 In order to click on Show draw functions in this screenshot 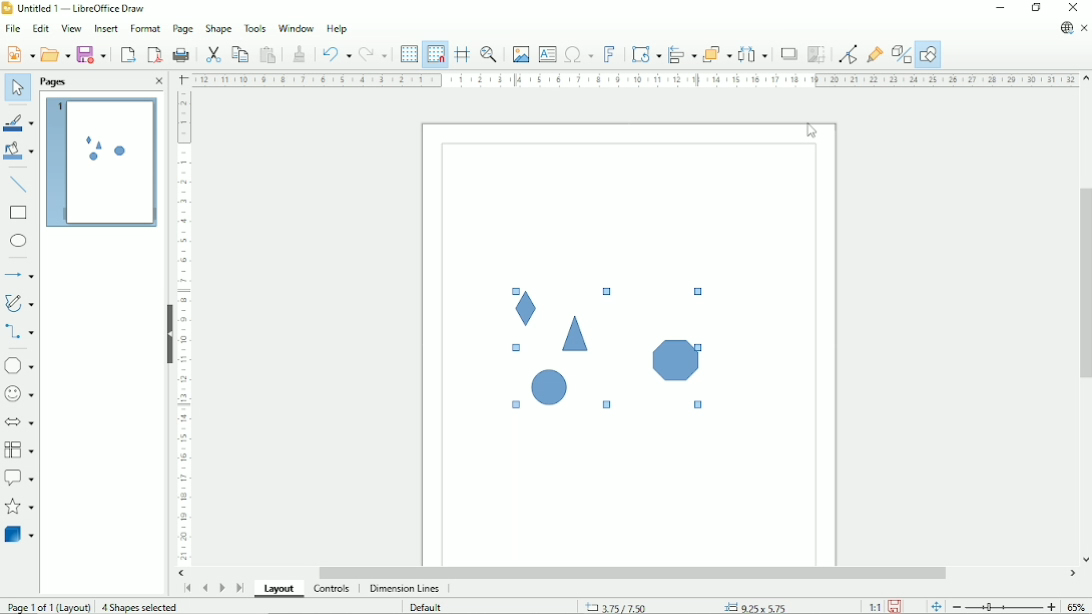, I will do `click(929, 53)`.